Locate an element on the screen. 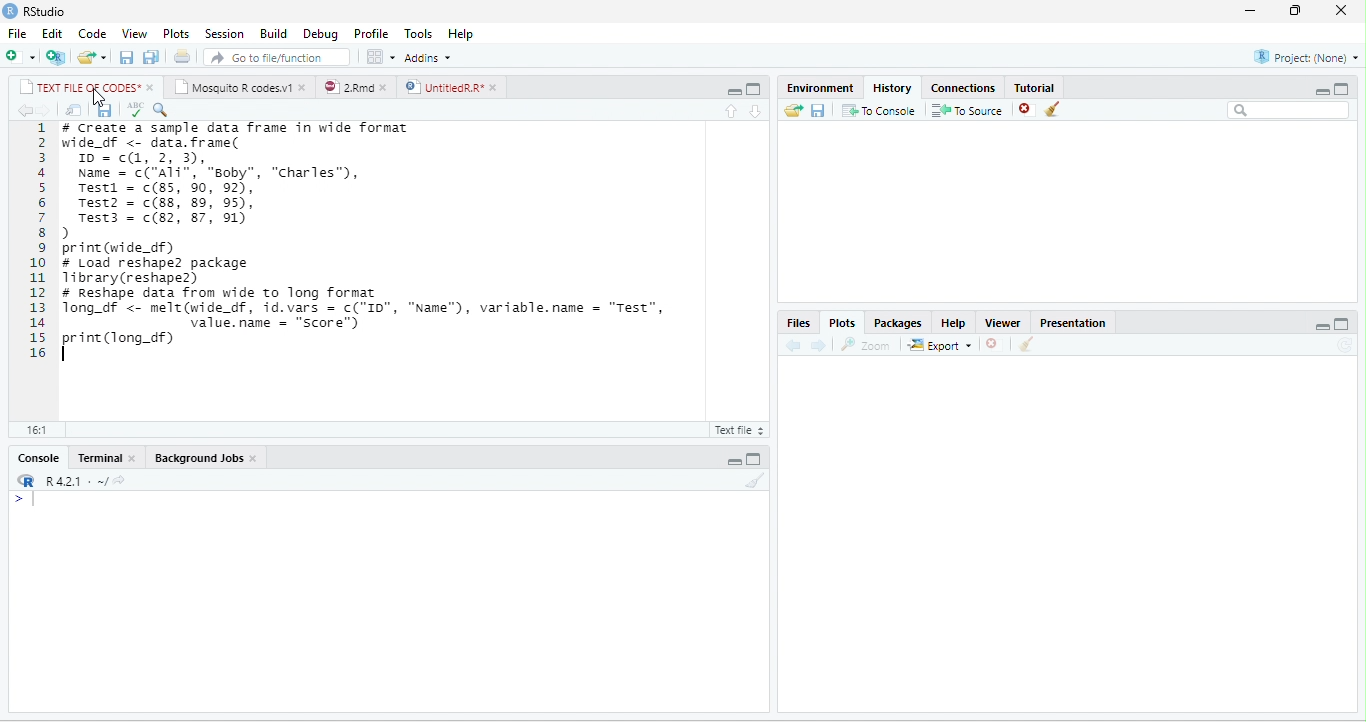 The image size is (1366, 722). options is located at coordinates (381, 57).